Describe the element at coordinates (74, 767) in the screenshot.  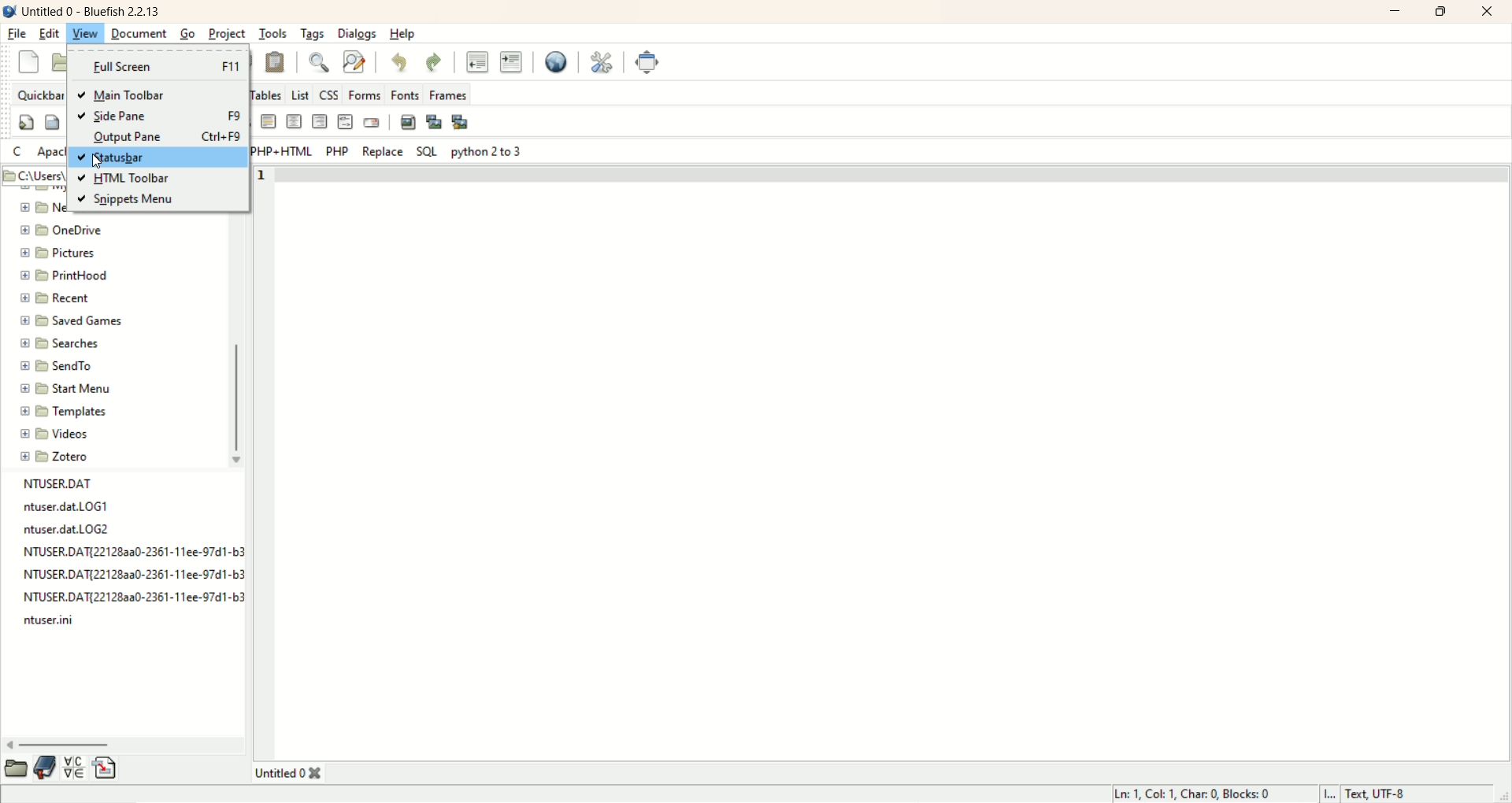
I see `insert special character` at that location.